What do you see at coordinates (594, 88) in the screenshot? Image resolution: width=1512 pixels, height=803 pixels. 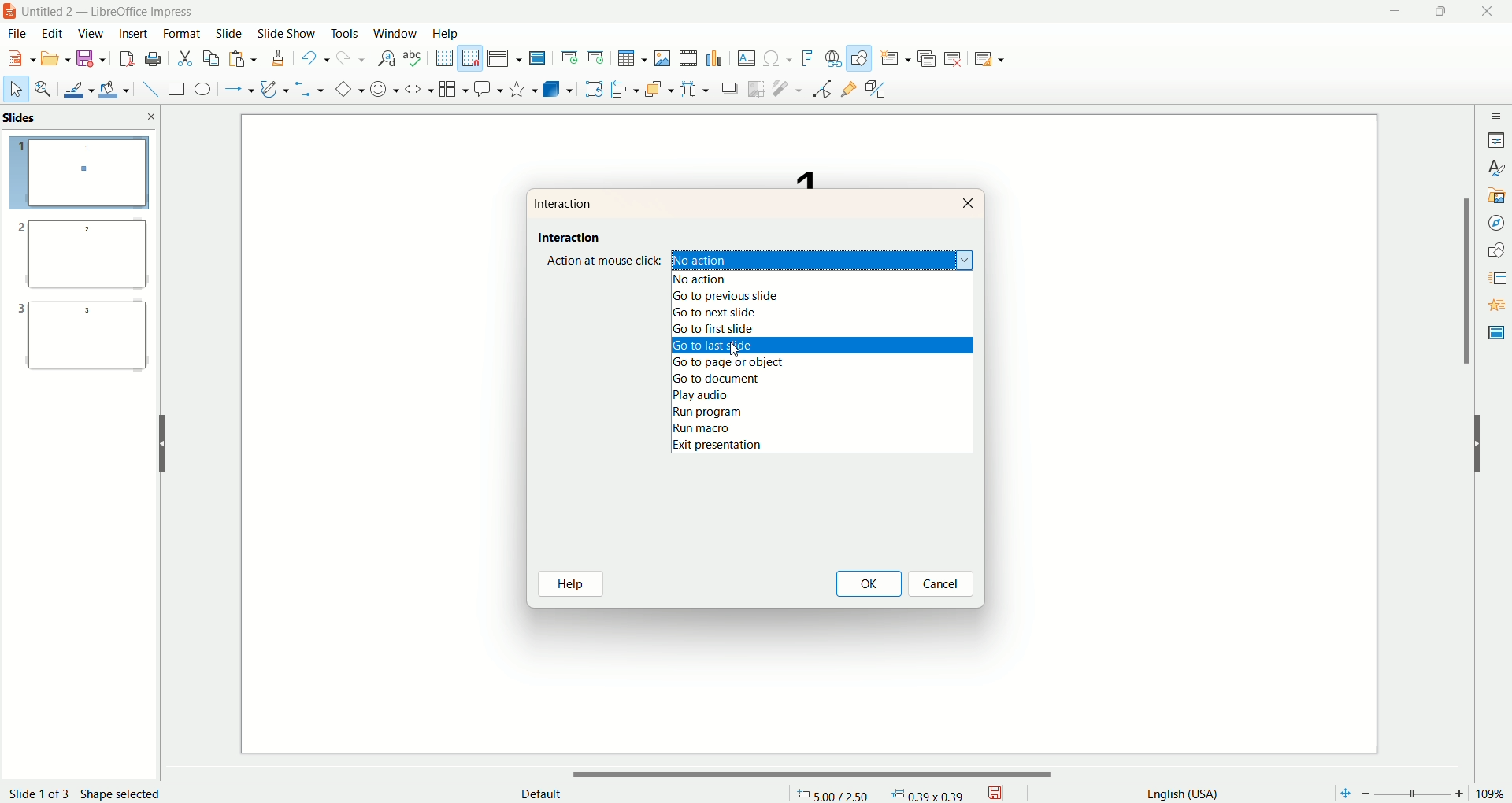 I see `rotate` at bounding box center [594, 88].